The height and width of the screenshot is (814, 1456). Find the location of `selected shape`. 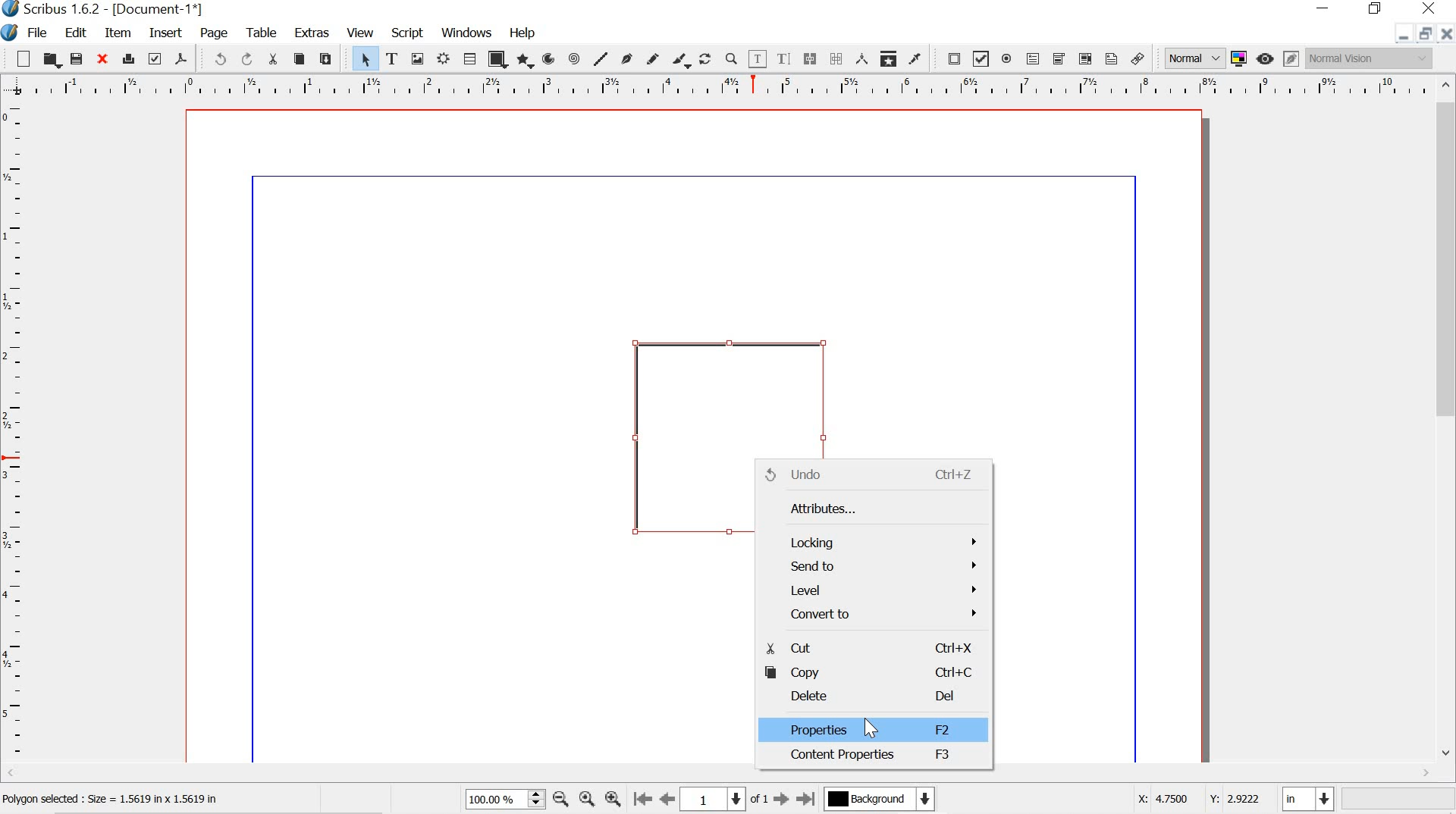

selected shape is located at coordinates (682, 443).